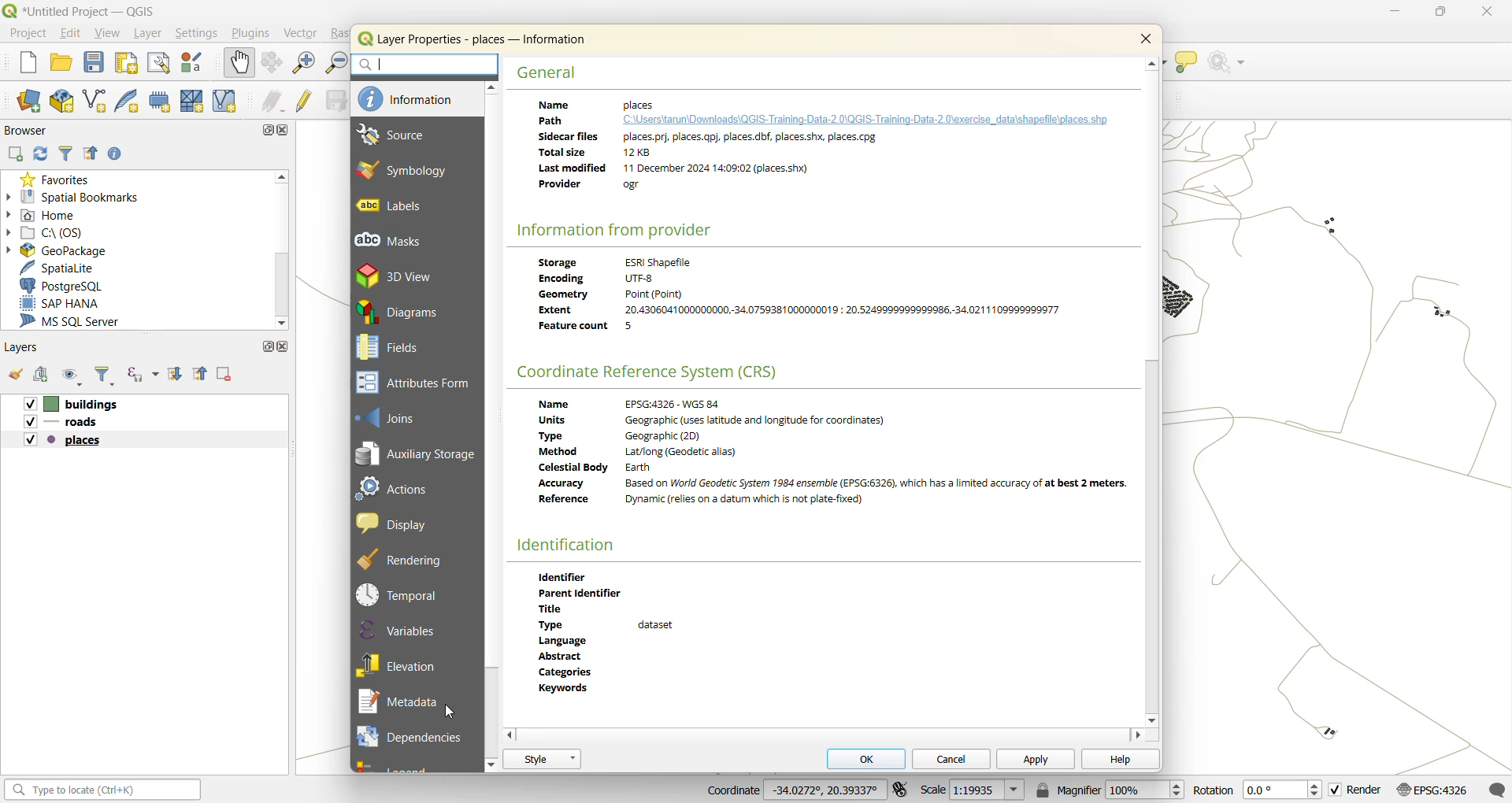 This screenshot has width=1512, height=803. I want to click on pan selection, so click(271, 62).